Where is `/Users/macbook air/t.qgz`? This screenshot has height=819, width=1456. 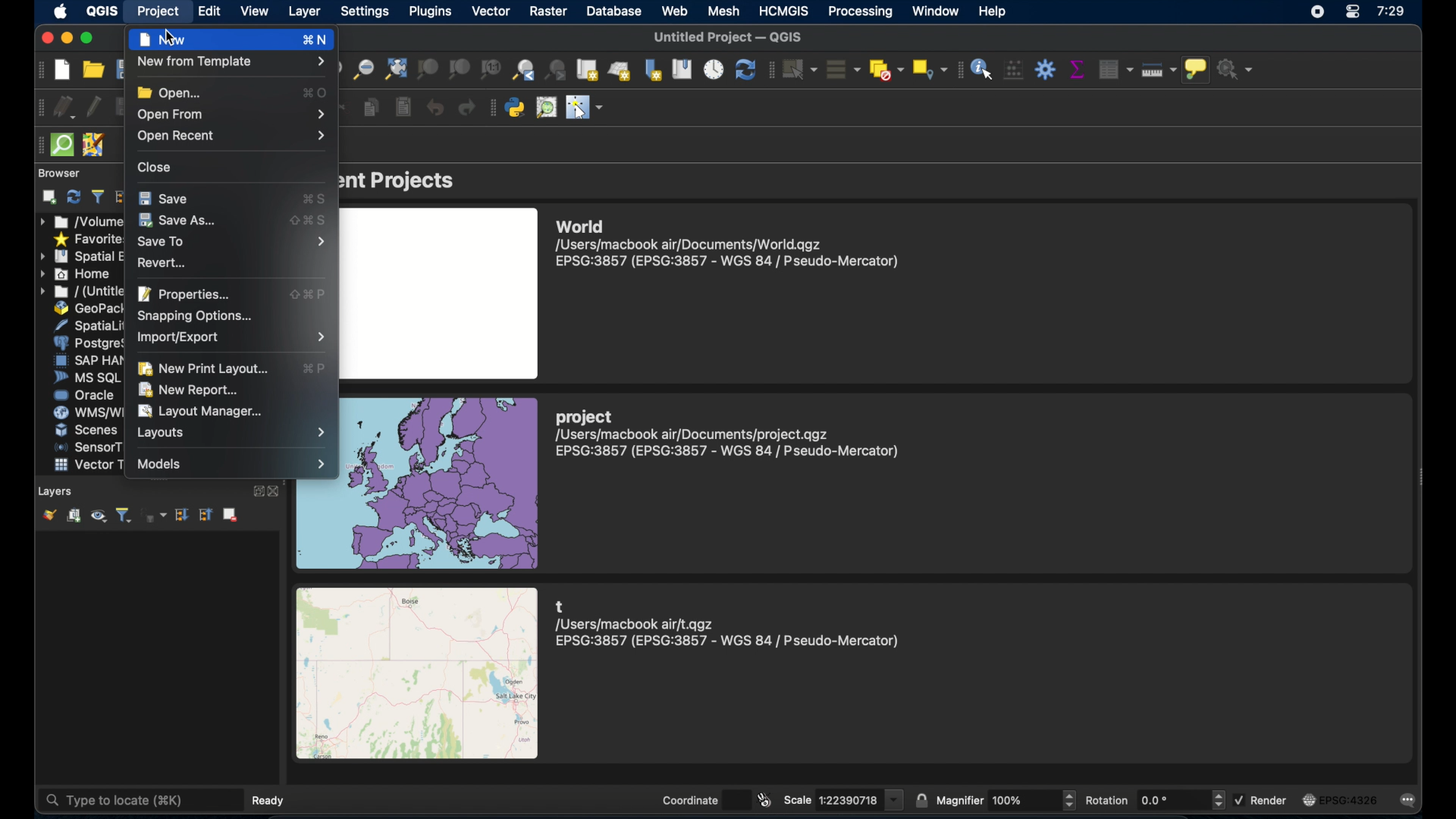
/Users/macbook air/t.qgz is located at coordinates (636, 623).